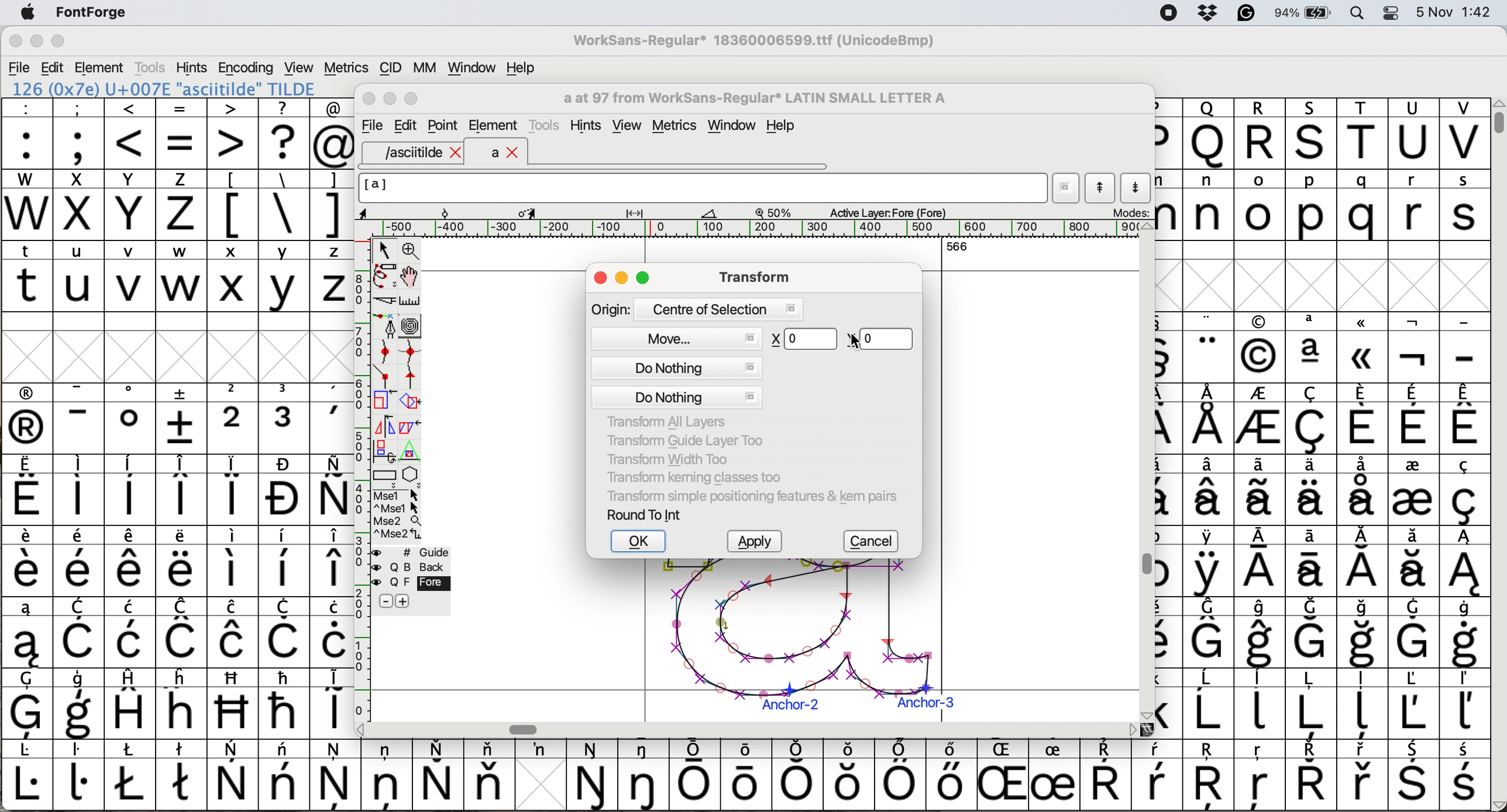 The image size is (1507, 812). I want to click on w, so click(181, 277).